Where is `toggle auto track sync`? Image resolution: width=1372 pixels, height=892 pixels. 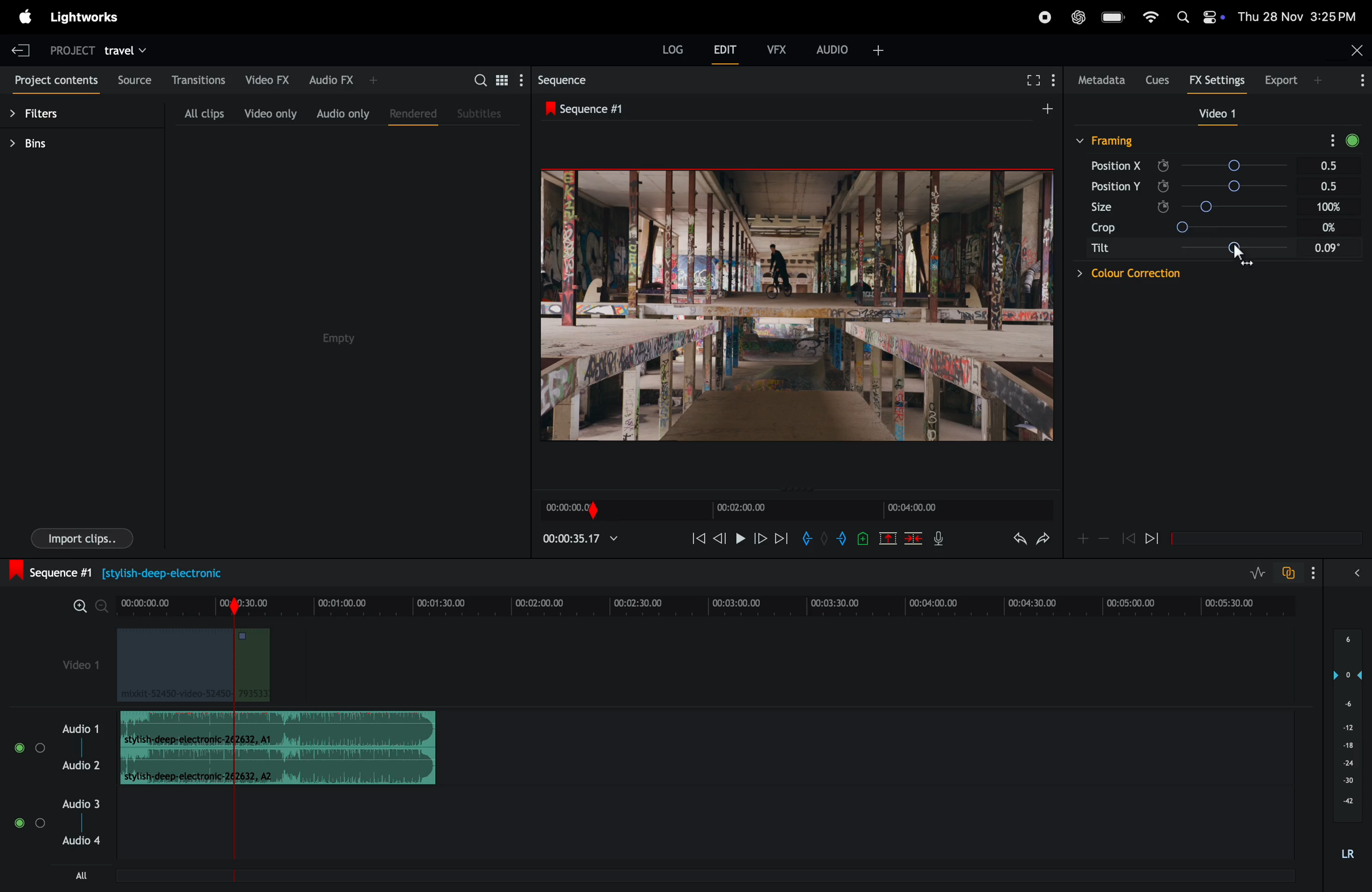
toggle auto track sync is located at coordinates (1289, 572).